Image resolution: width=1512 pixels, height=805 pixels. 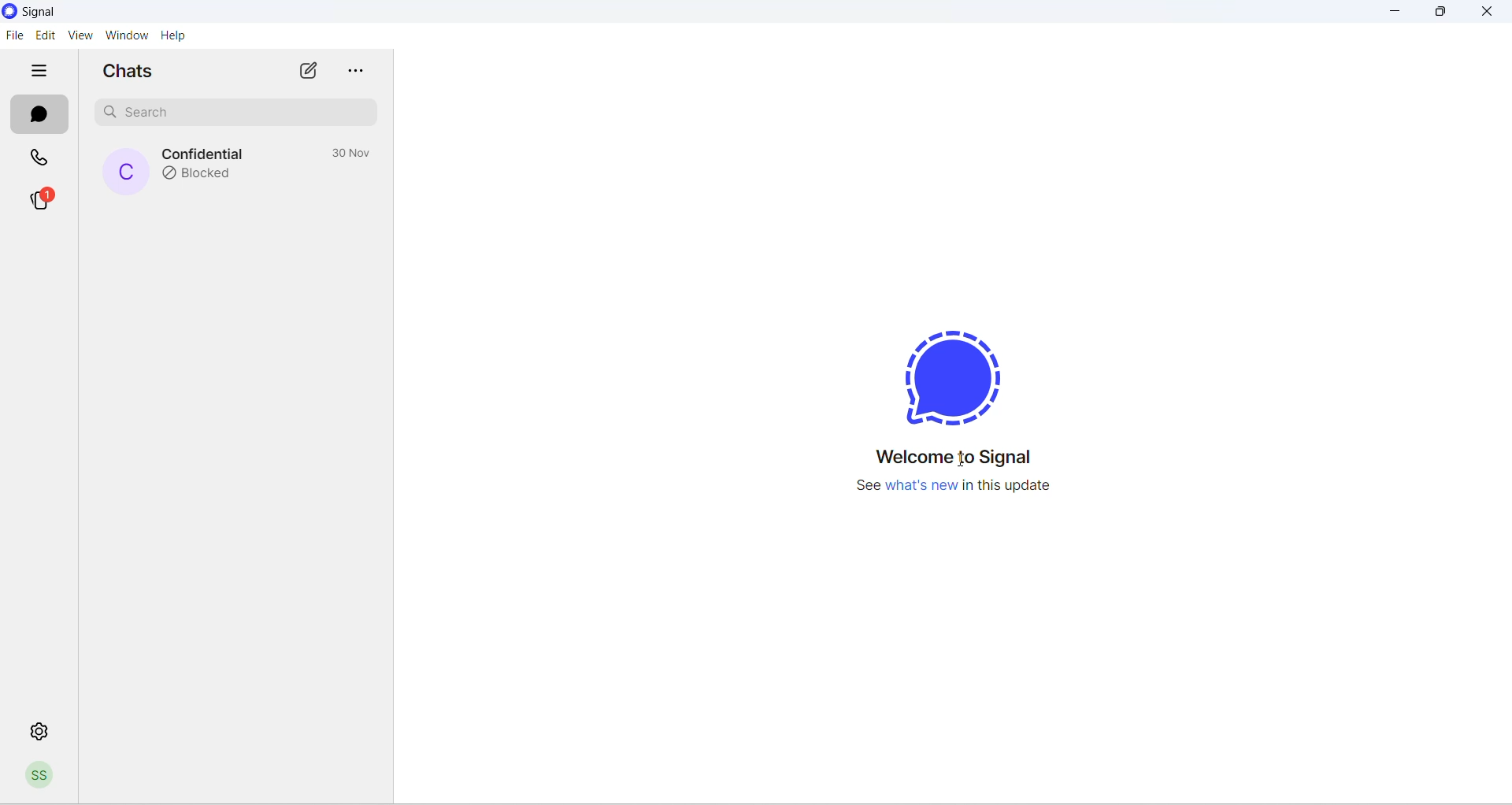 I want to click on view, so click(x=77, y=35).